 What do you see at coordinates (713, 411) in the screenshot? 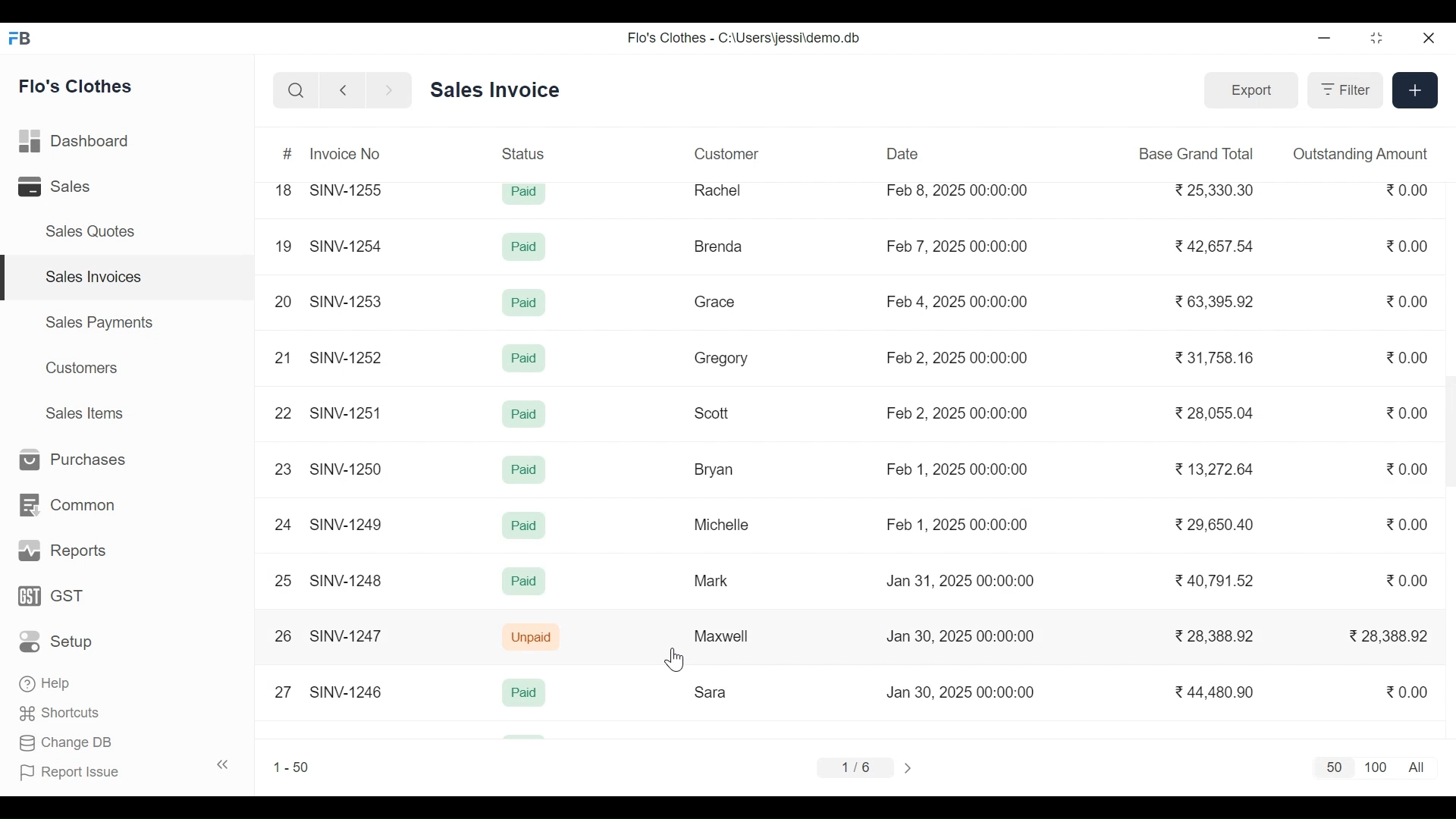
I see `Scott` at bounding box center [713, 411].